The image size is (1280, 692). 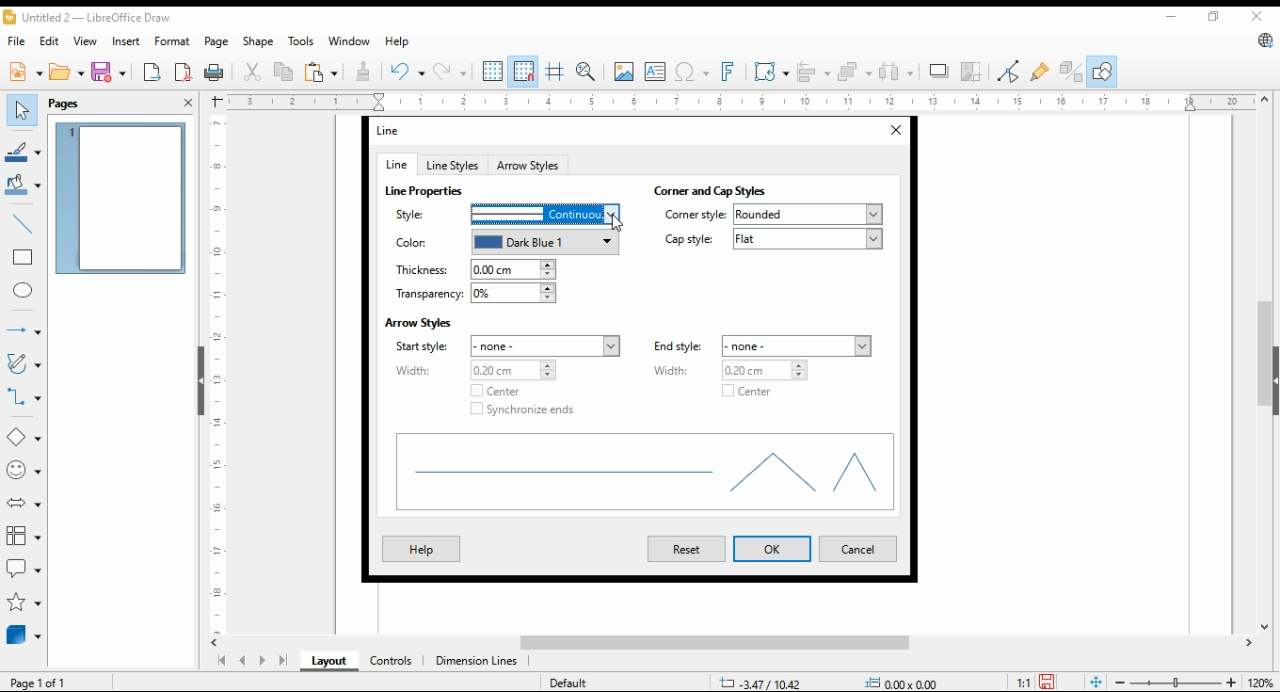 What do you see at coordinates (86, 41) in the screenshot?
I see `view` at bounding box center [86, 41].